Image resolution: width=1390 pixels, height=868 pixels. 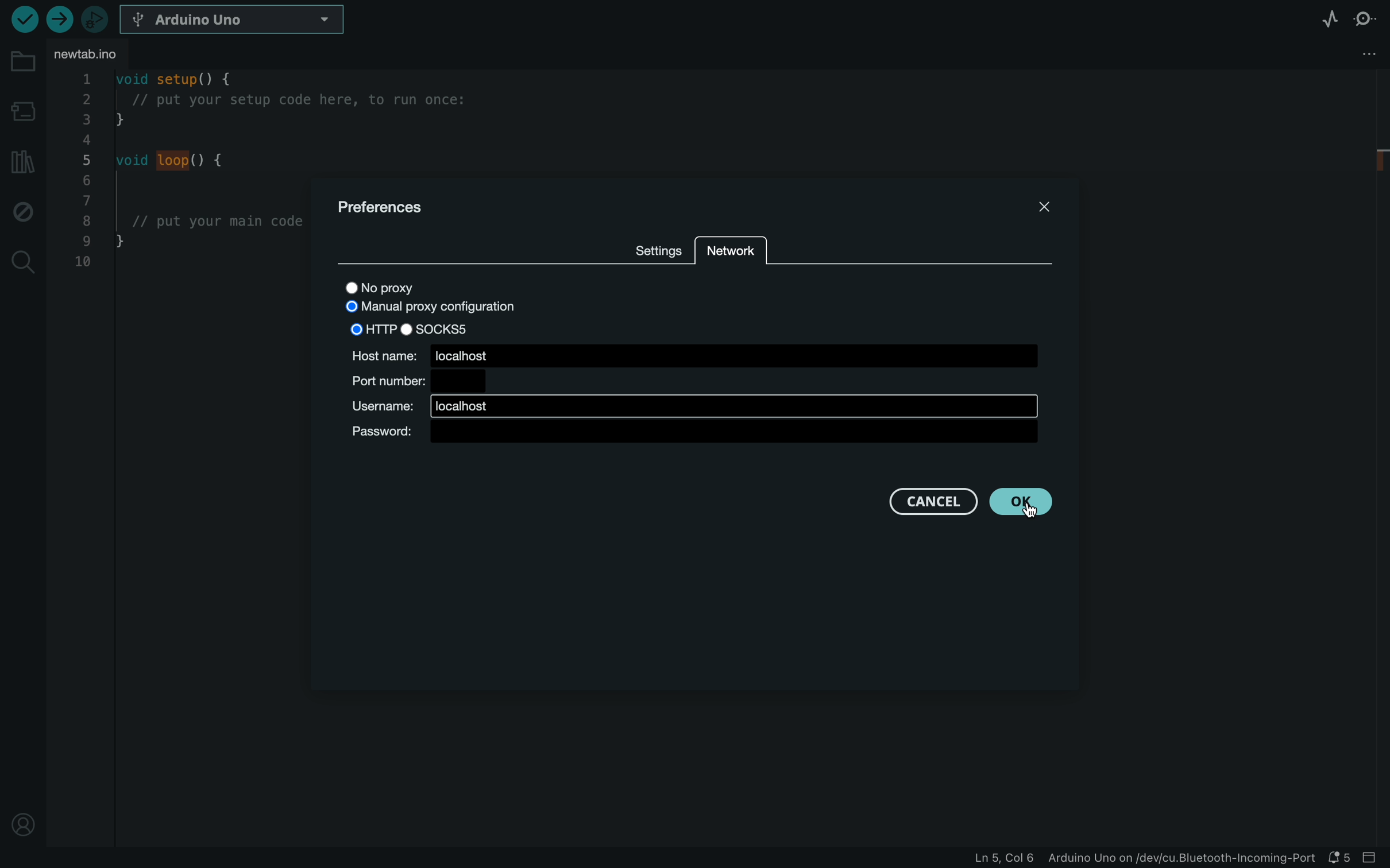 I want to click on host name, so click(x=694, y=354).